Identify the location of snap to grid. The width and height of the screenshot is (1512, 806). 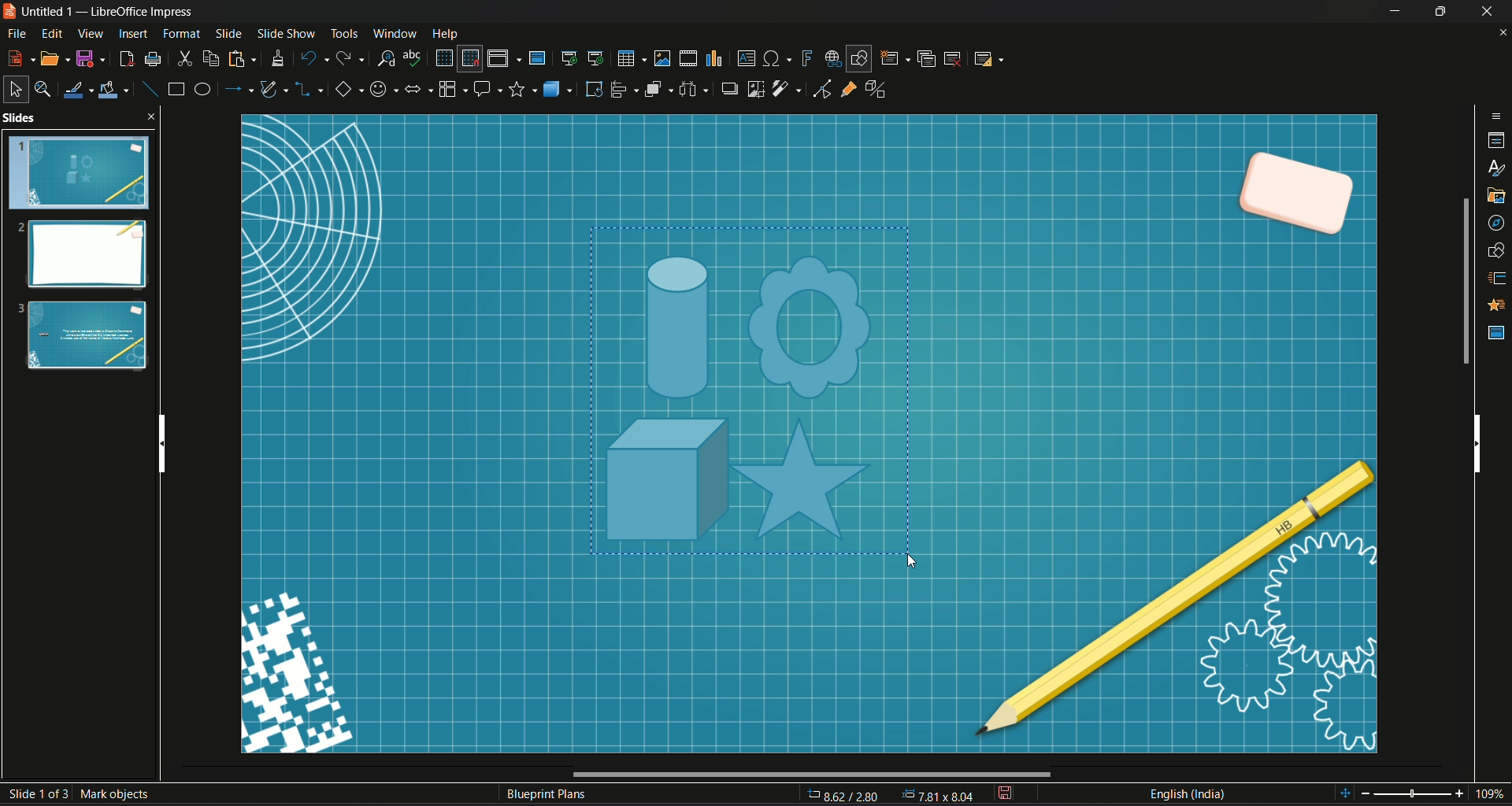
(469, 59).